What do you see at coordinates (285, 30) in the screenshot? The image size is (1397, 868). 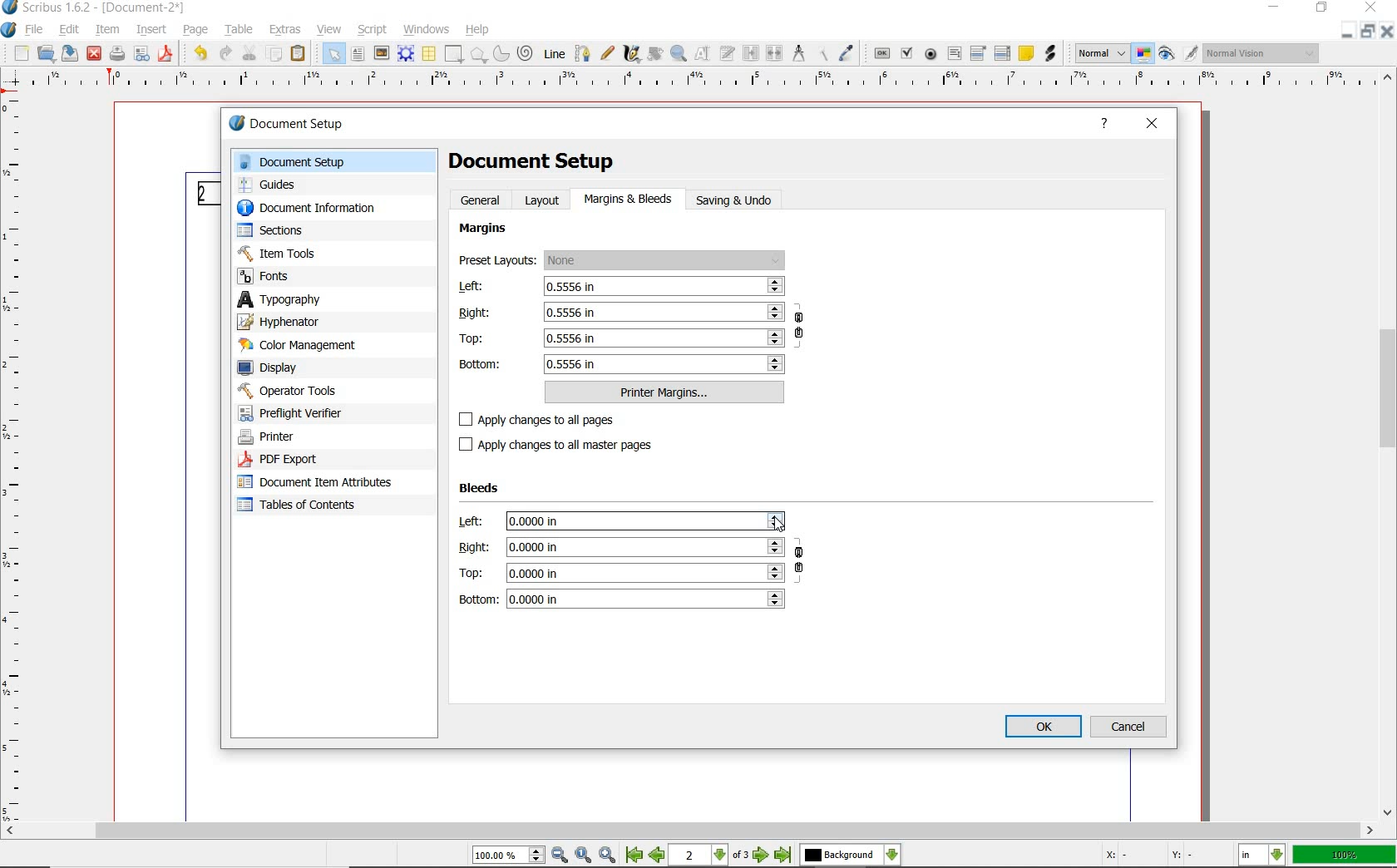 I see `extras` at bounding box center [285, 30].